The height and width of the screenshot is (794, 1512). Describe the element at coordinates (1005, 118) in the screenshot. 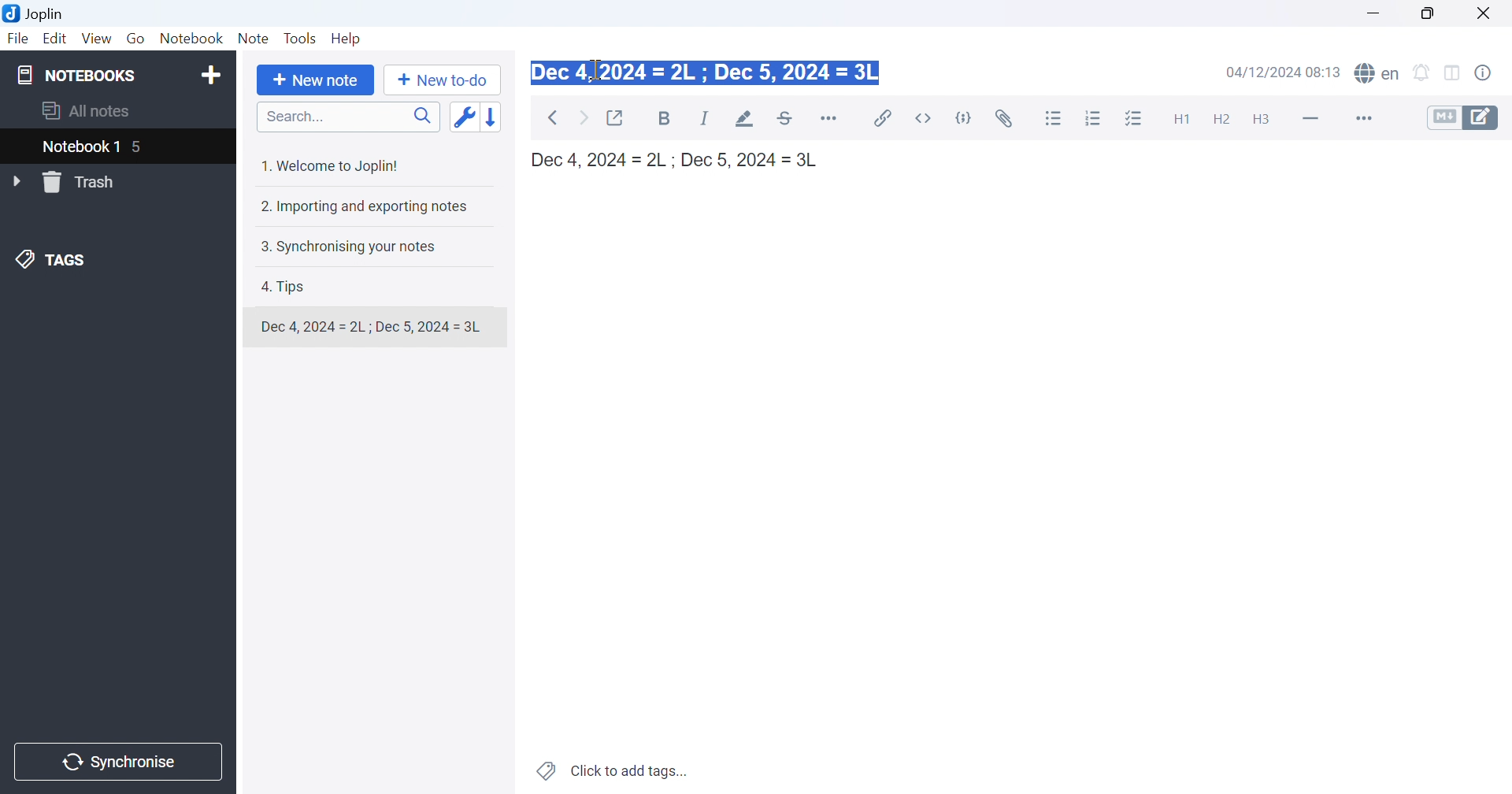

I see `Attach file` at that location.